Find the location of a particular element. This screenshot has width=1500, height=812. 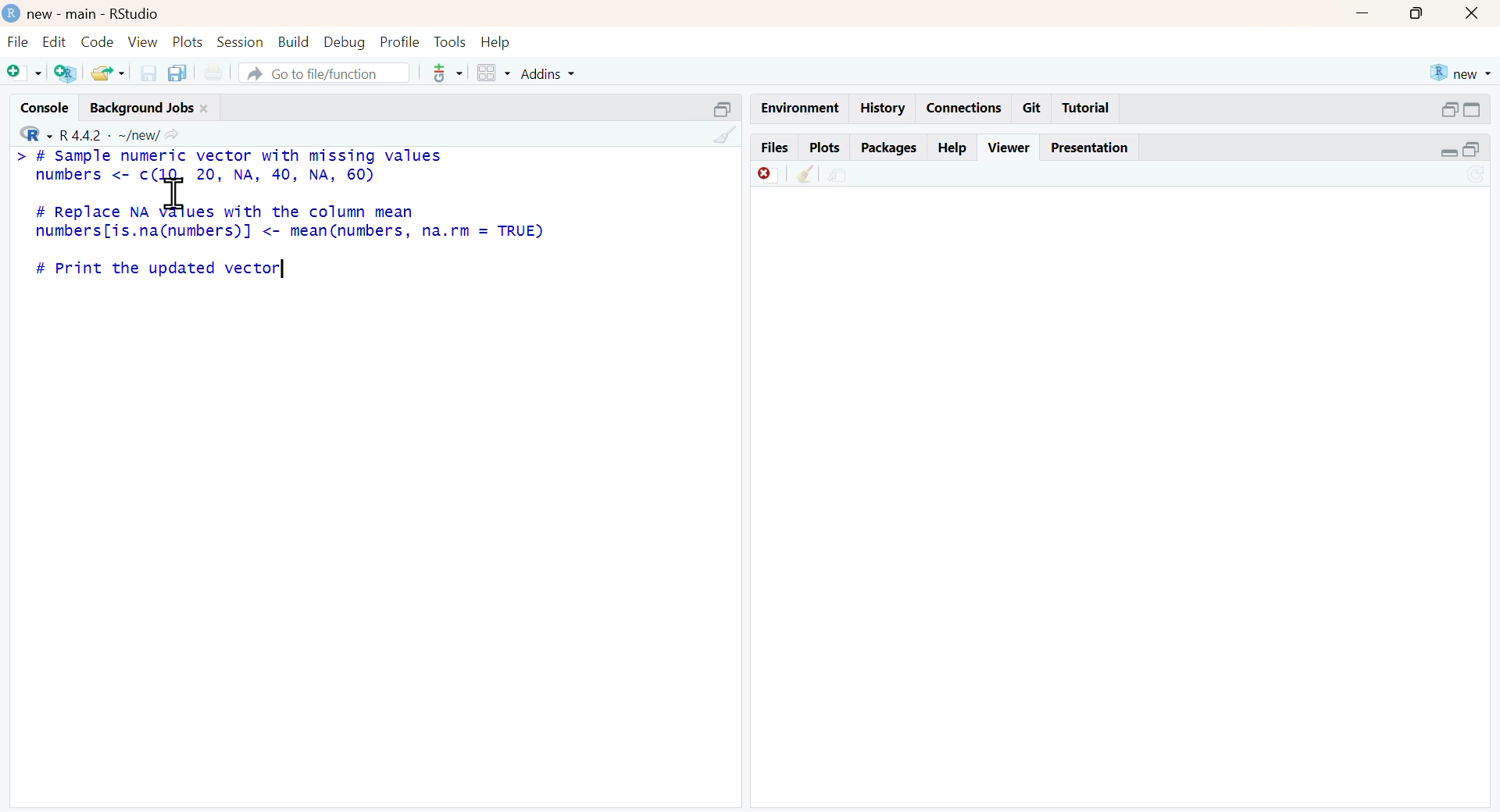

share folder is located at coordinates (110, 73).